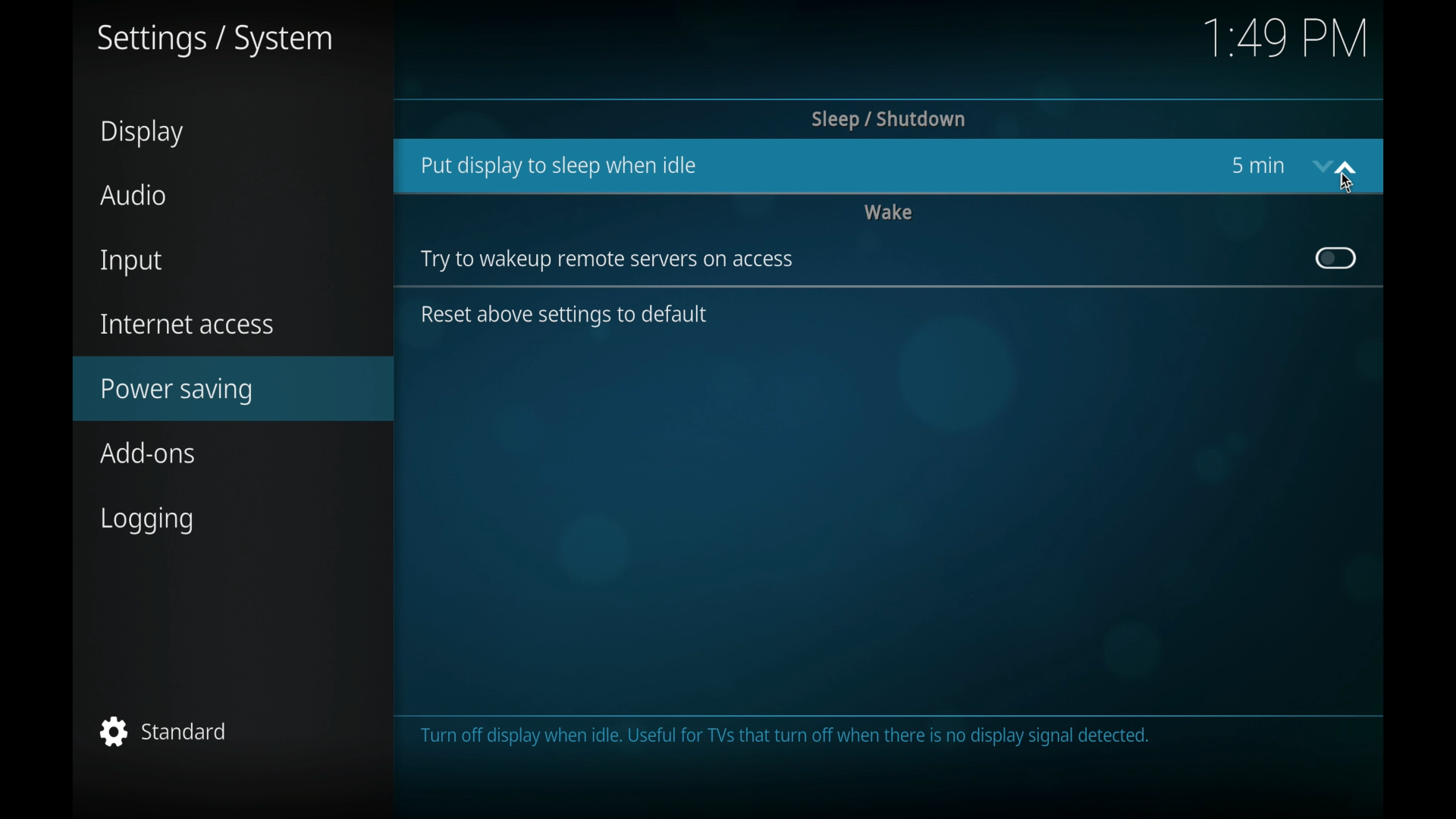 The image size is (1456, 819). What do you see at coordinates (235, 388) in the screenshot?
I see `power-saving` at bounding box center [235, 388].